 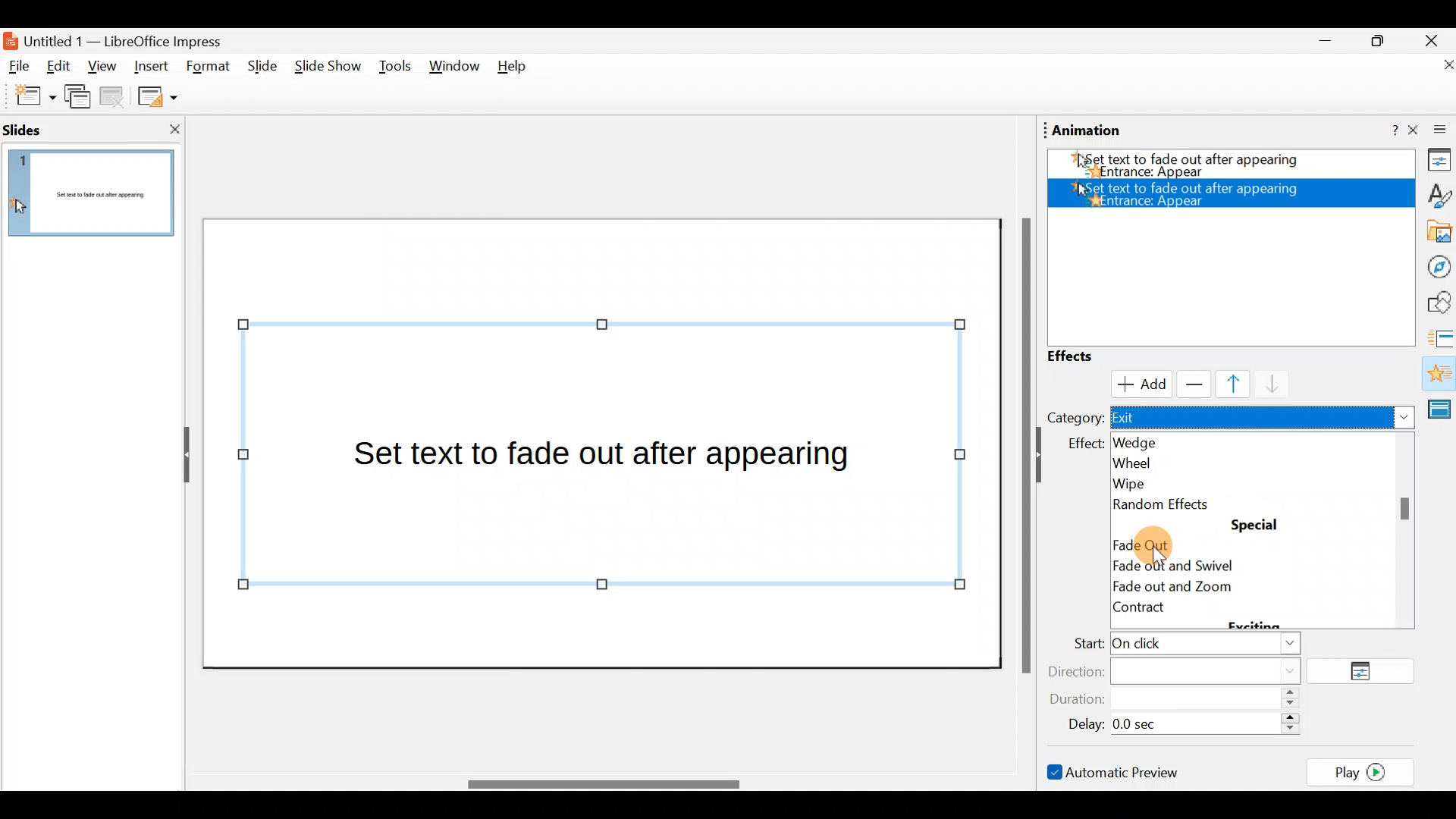 I want to click on Animation, so click(x=1087, y=130).